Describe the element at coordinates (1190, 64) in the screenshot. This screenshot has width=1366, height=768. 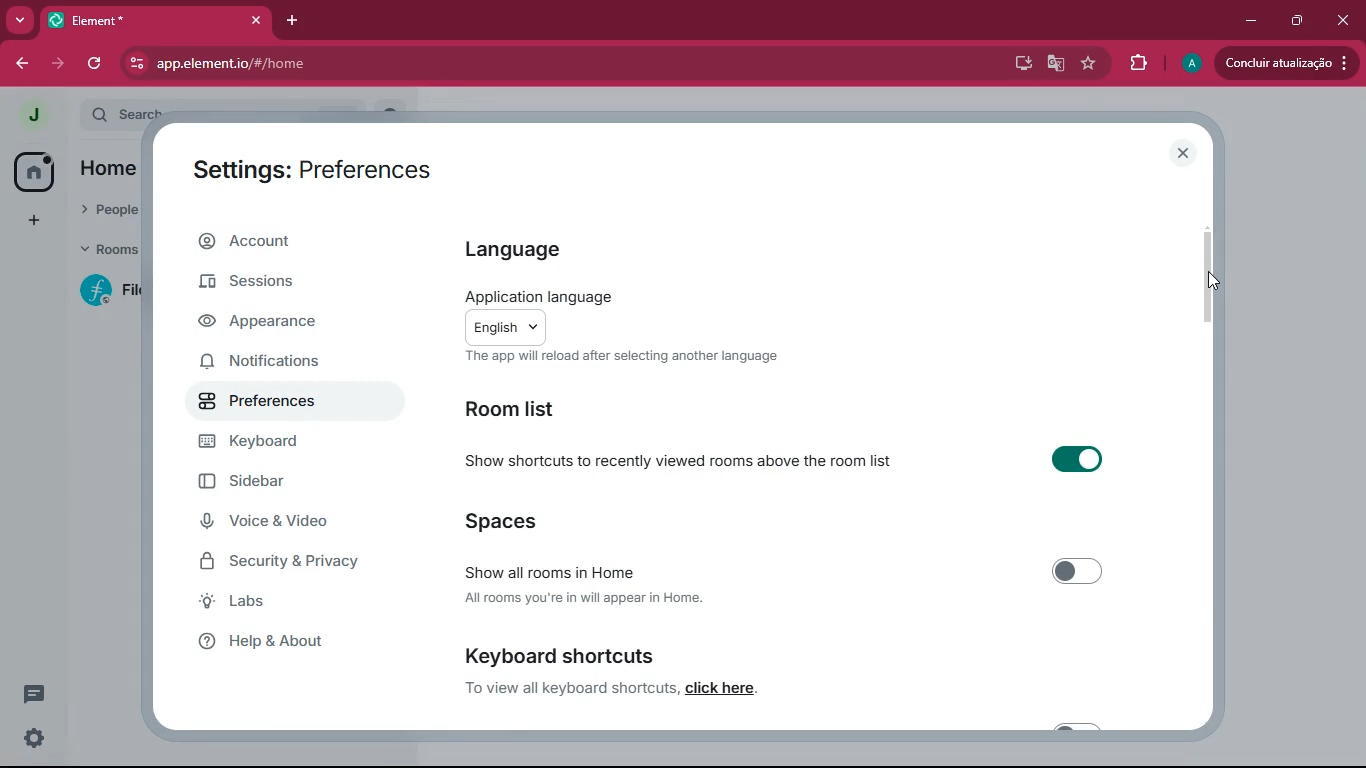
I see `profile picture` at that location.